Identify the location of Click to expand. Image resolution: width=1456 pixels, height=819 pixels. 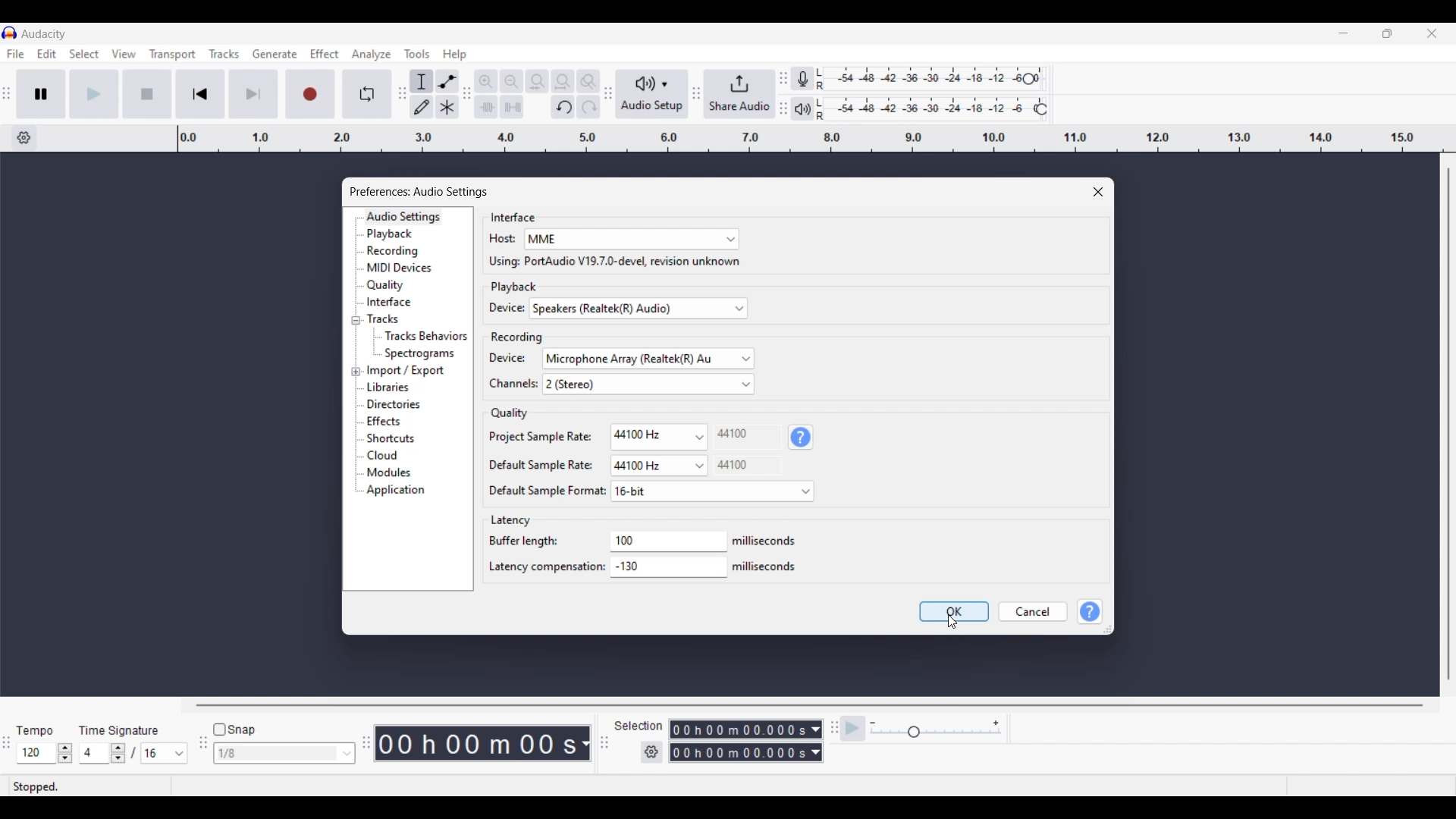
(356, 372).